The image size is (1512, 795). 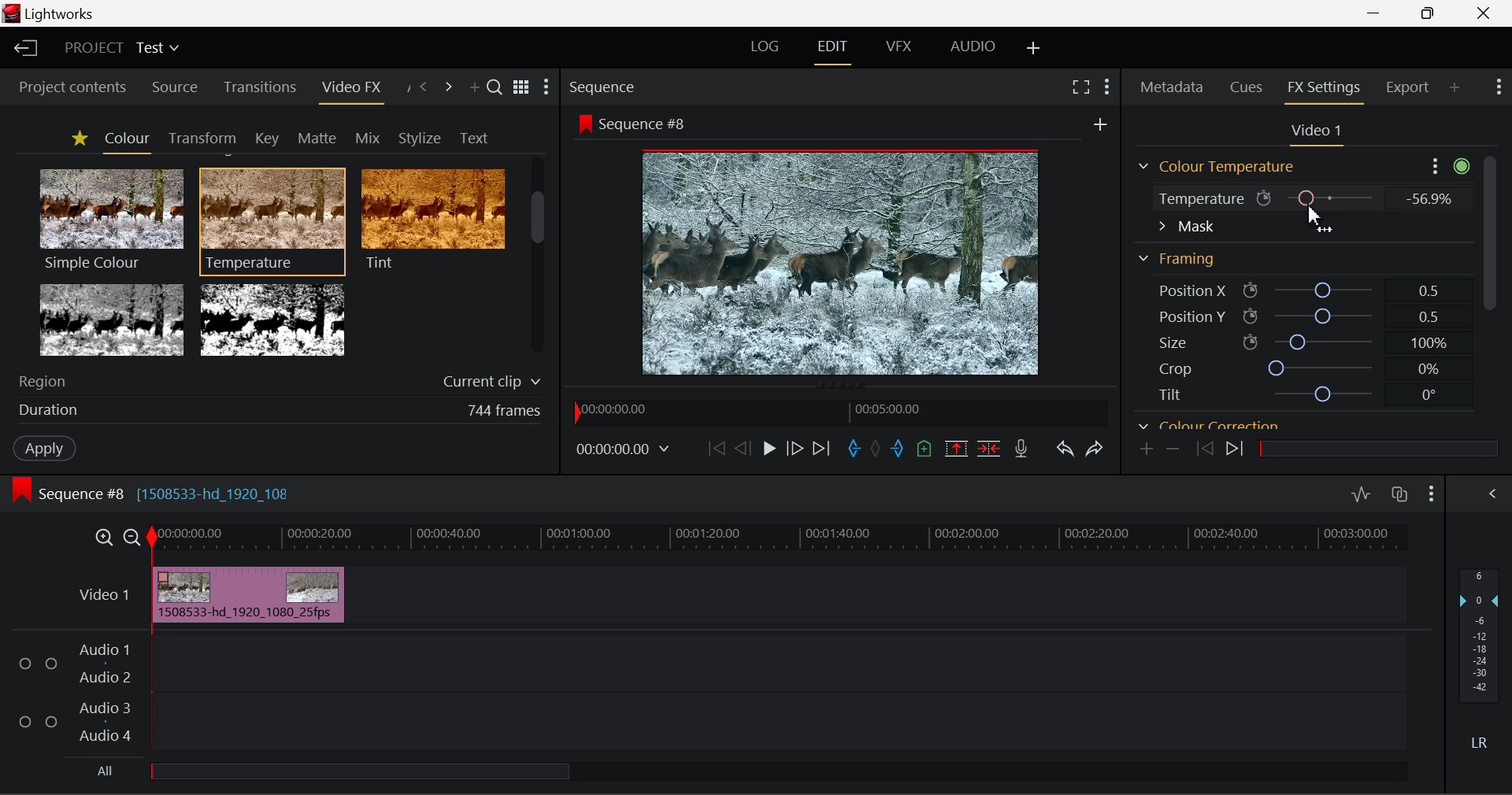 I want to click on 00:00:00.00, so click(x=617, y=410).